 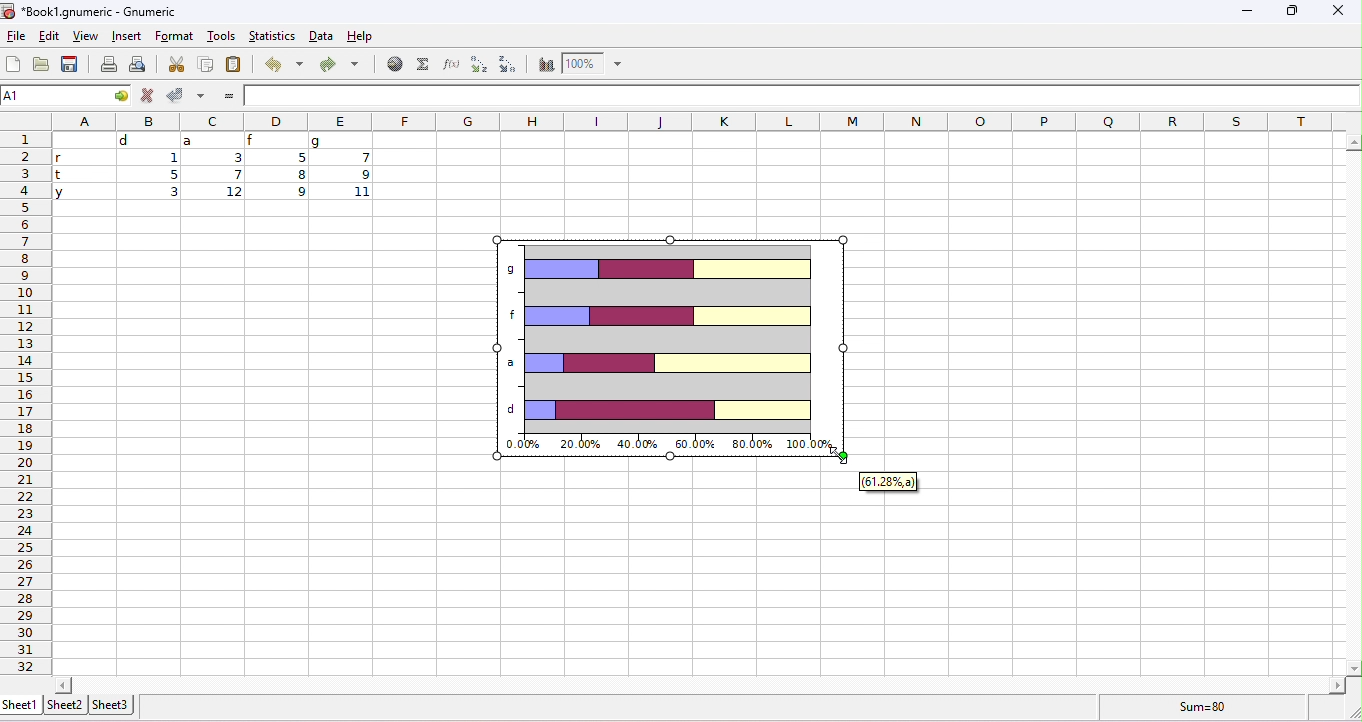 What do you see at coordinates (847, 457) in the screenshot?
I see `cursor at mouse up` at bounding box center [847, 457].